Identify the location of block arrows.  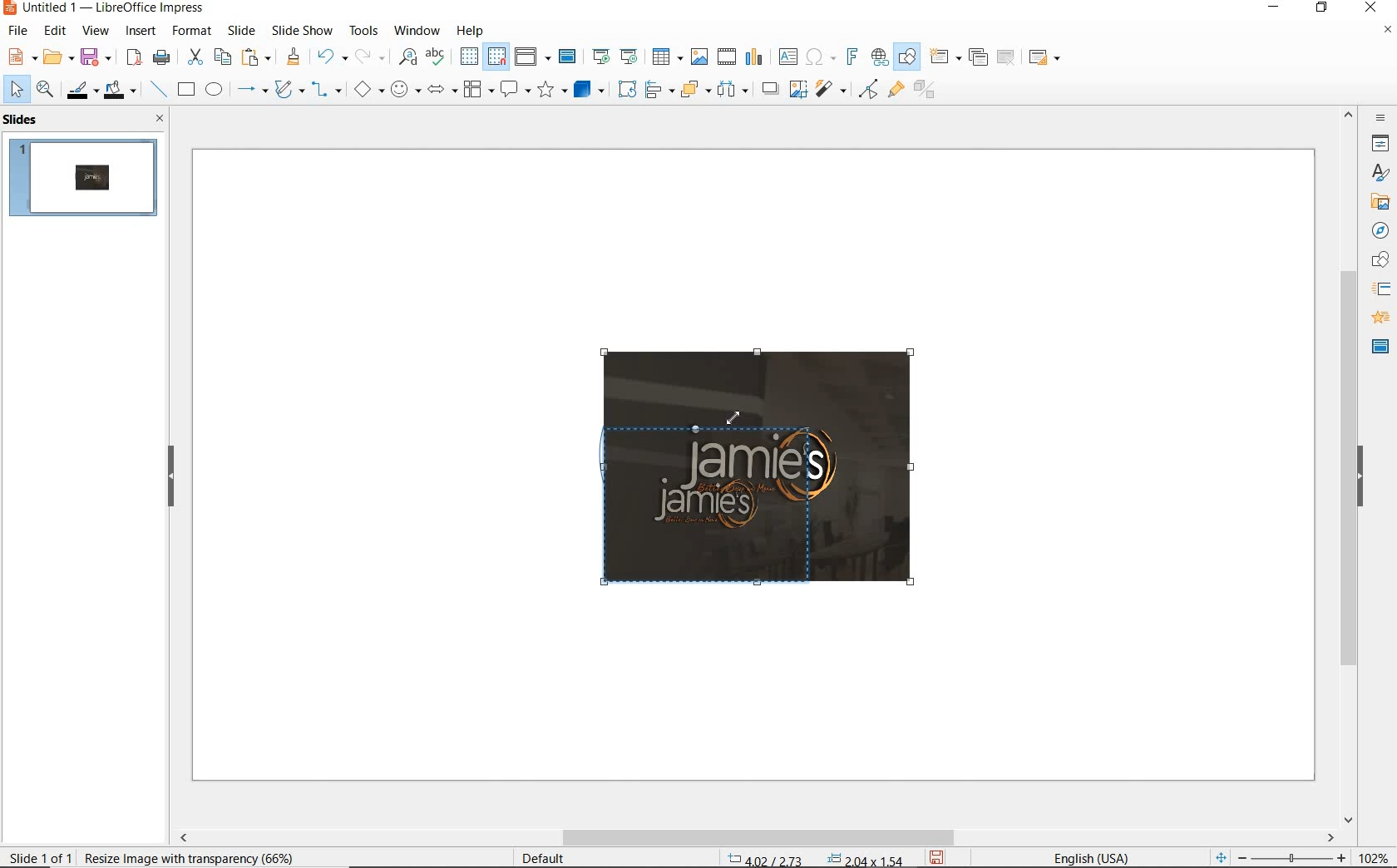
(439, 91).